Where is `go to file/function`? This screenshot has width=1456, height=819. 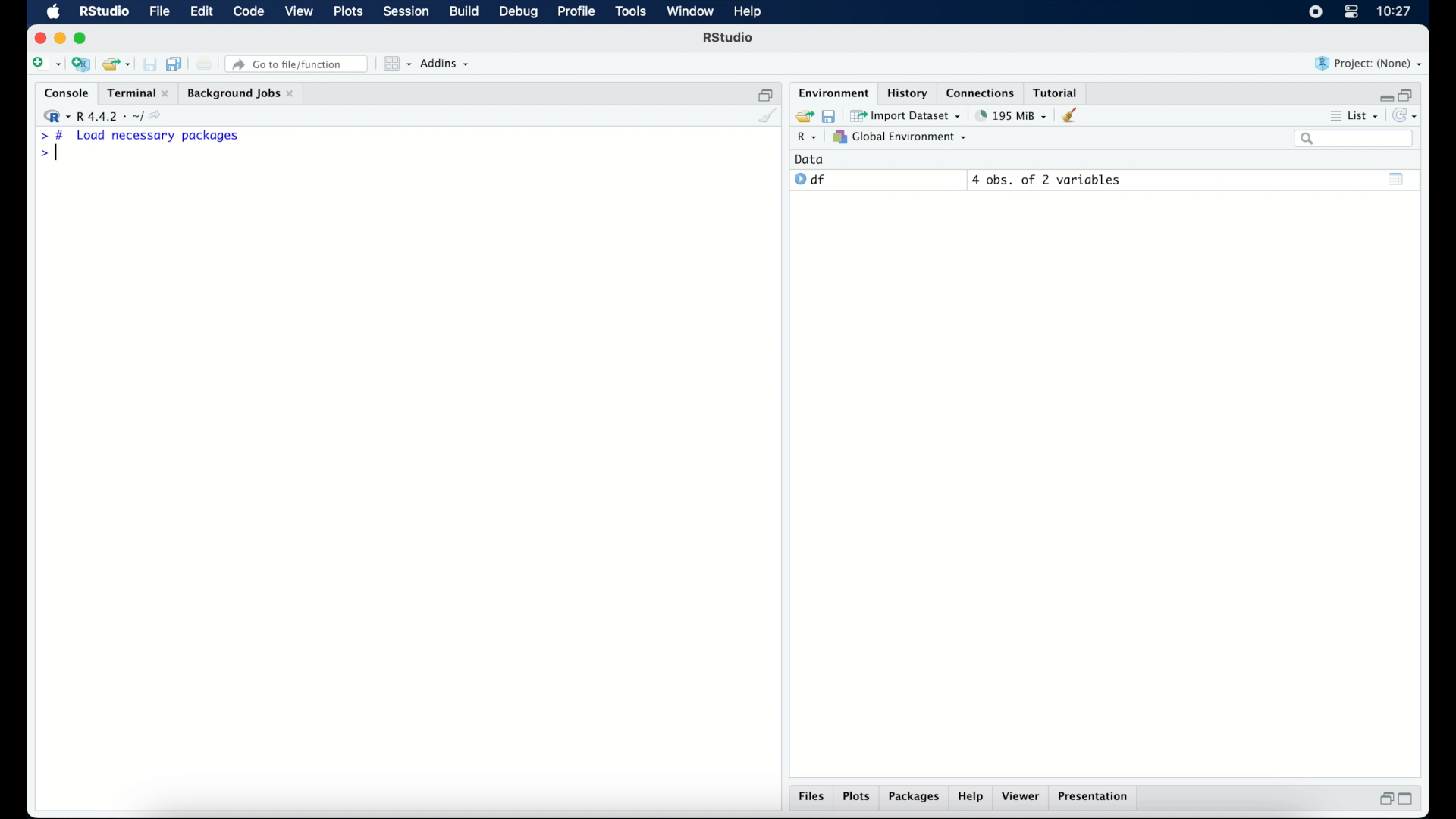 go to file/function is located at coordinates (297, 64).